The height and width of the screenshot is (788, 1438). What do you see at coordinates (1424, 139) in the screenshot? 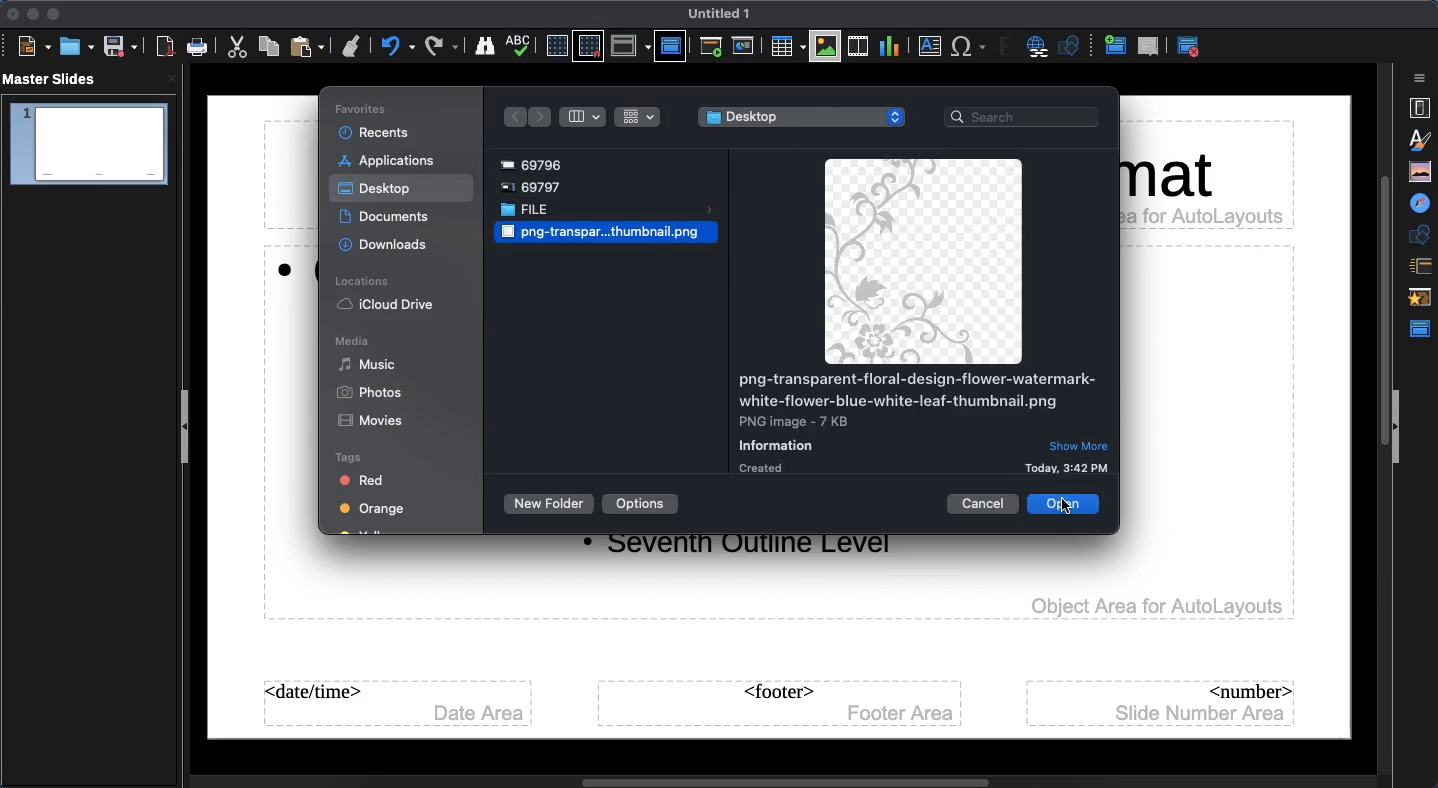
I see `Styles` at bounding box center [1424, 139].